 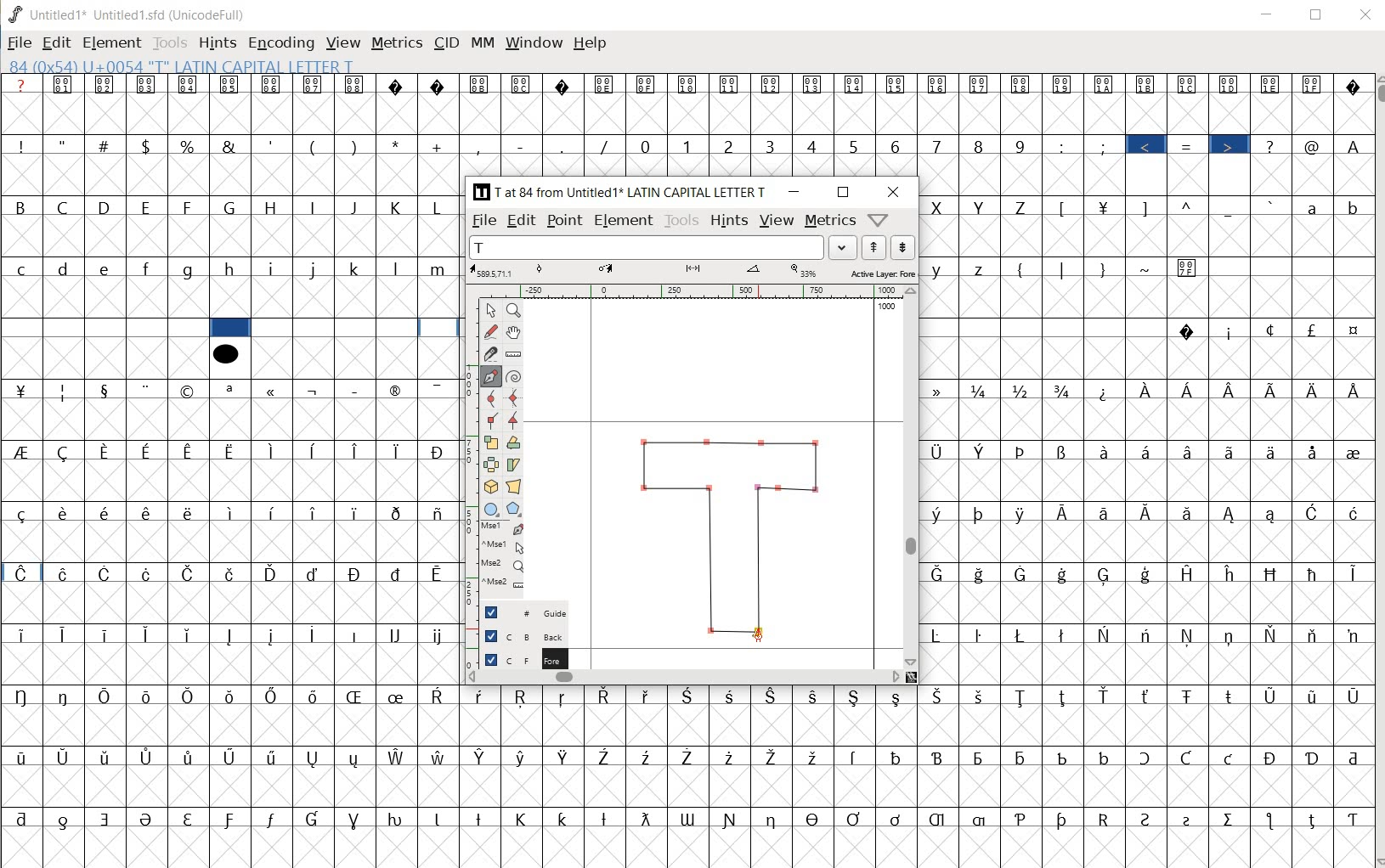 I want to click on Symbol, so click(x=1150, y=573).